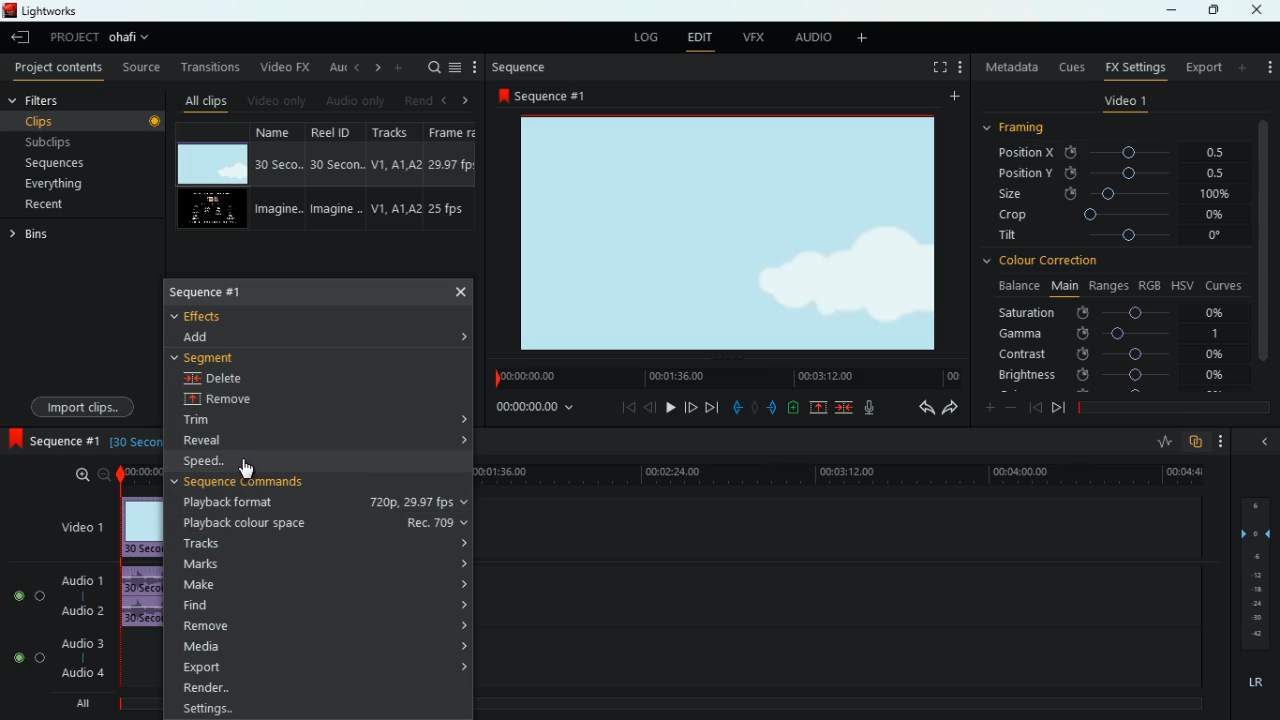  Describe the element at coordinates (455, 67) in the screenshot. I see `menu` at that location.